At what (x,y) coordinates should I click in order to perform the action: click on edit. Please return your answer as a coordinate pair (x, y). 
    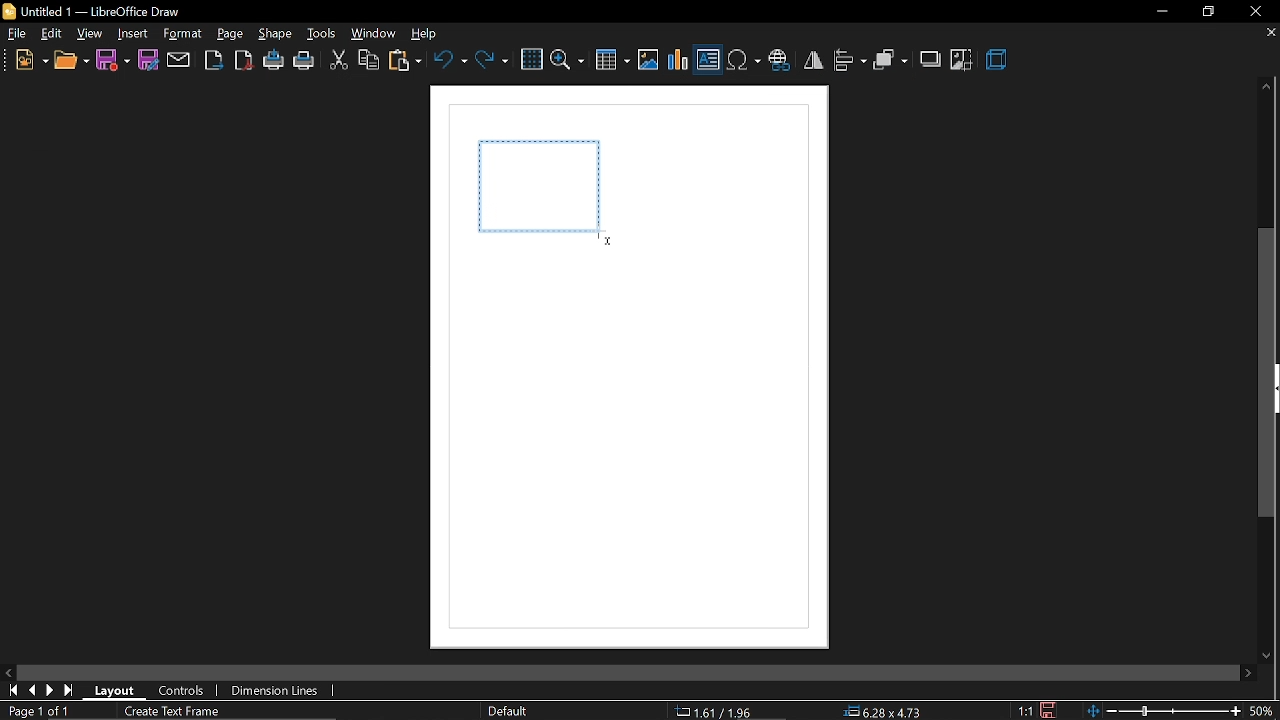
    Looking at the image, I should click on (53, 35).